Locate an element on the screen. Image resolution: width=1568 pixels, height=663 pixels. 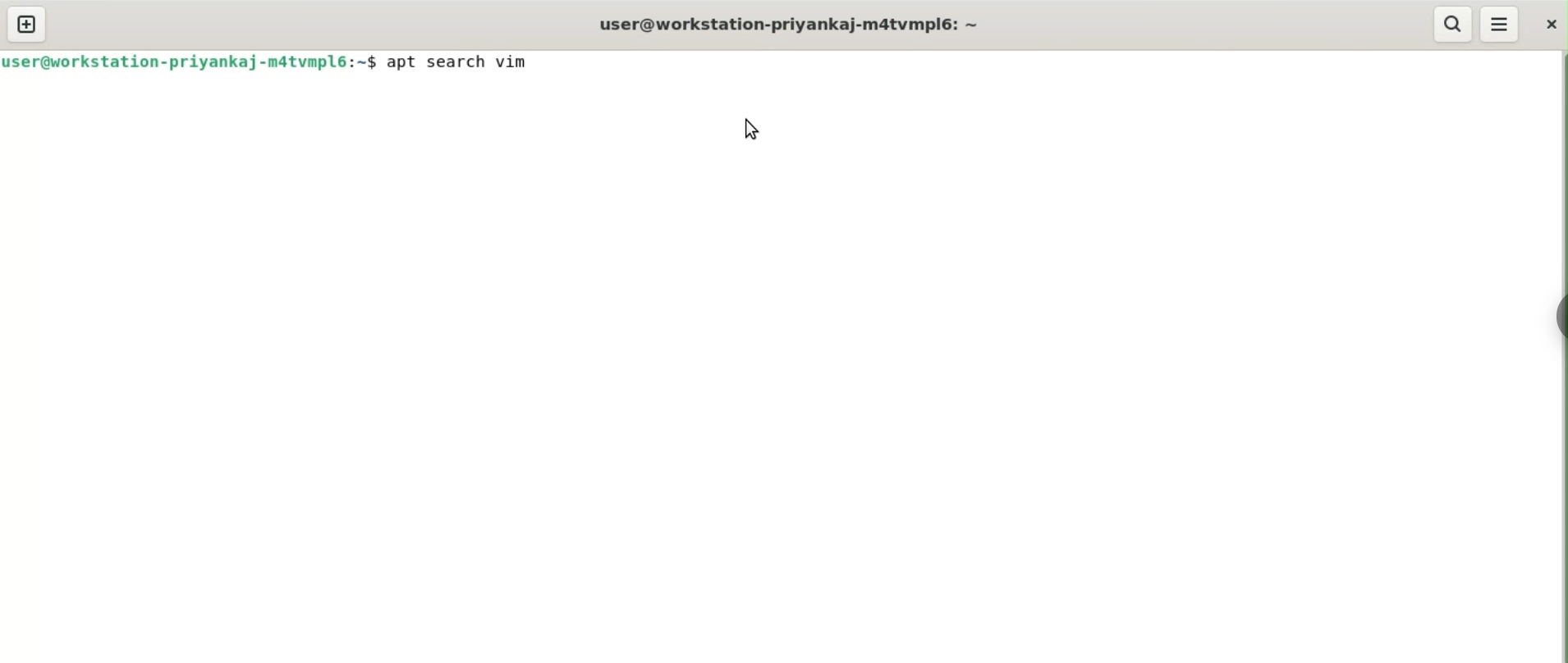
close is located at coordinates (1554, 21).